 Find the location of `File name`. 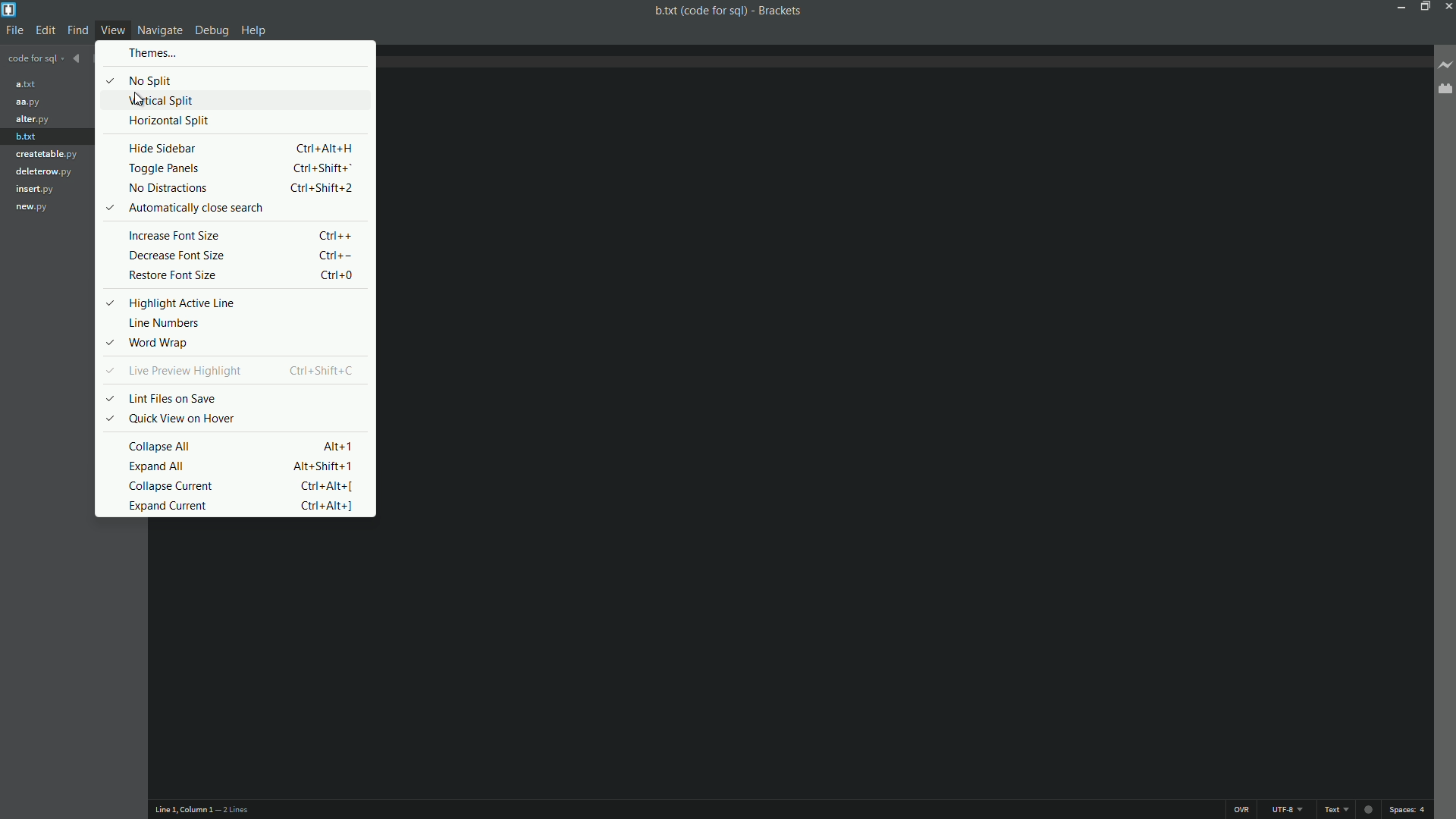

File name is located at coordinates (700, 11).